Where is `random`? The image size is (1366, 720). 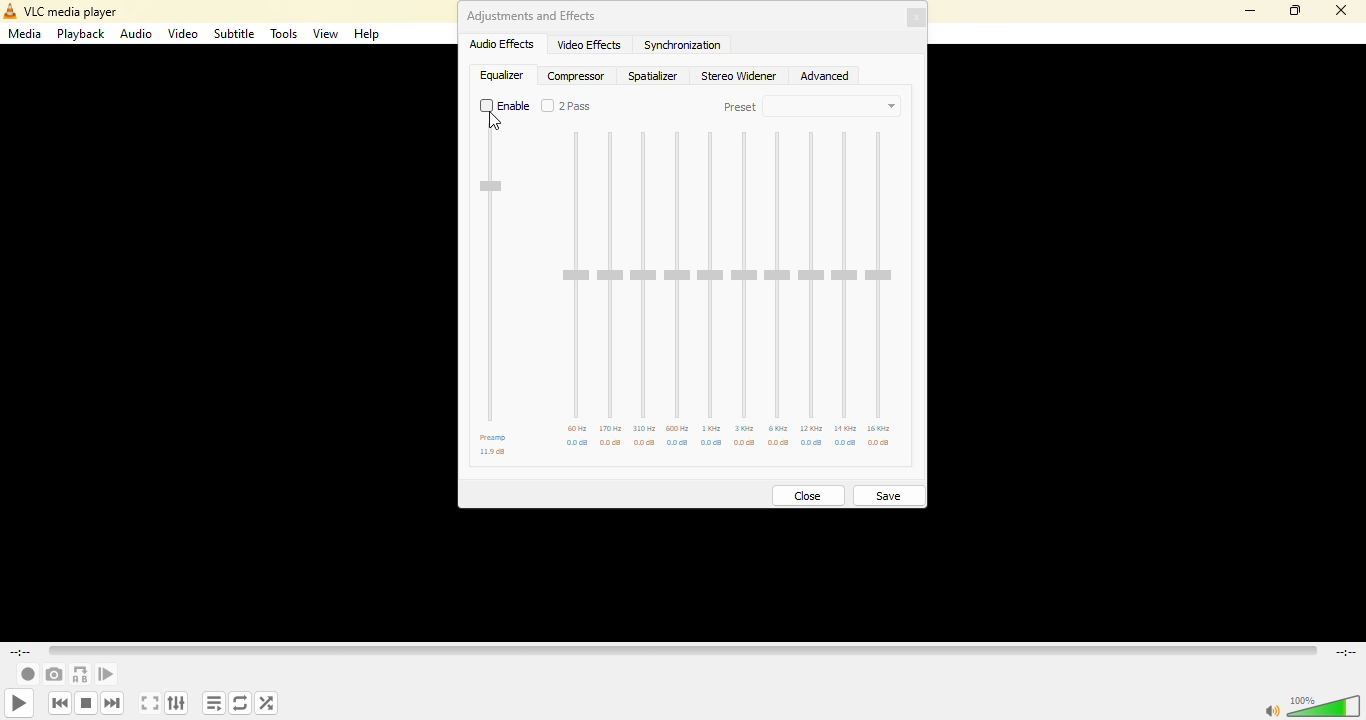 random is located at coordinates (267, 700).